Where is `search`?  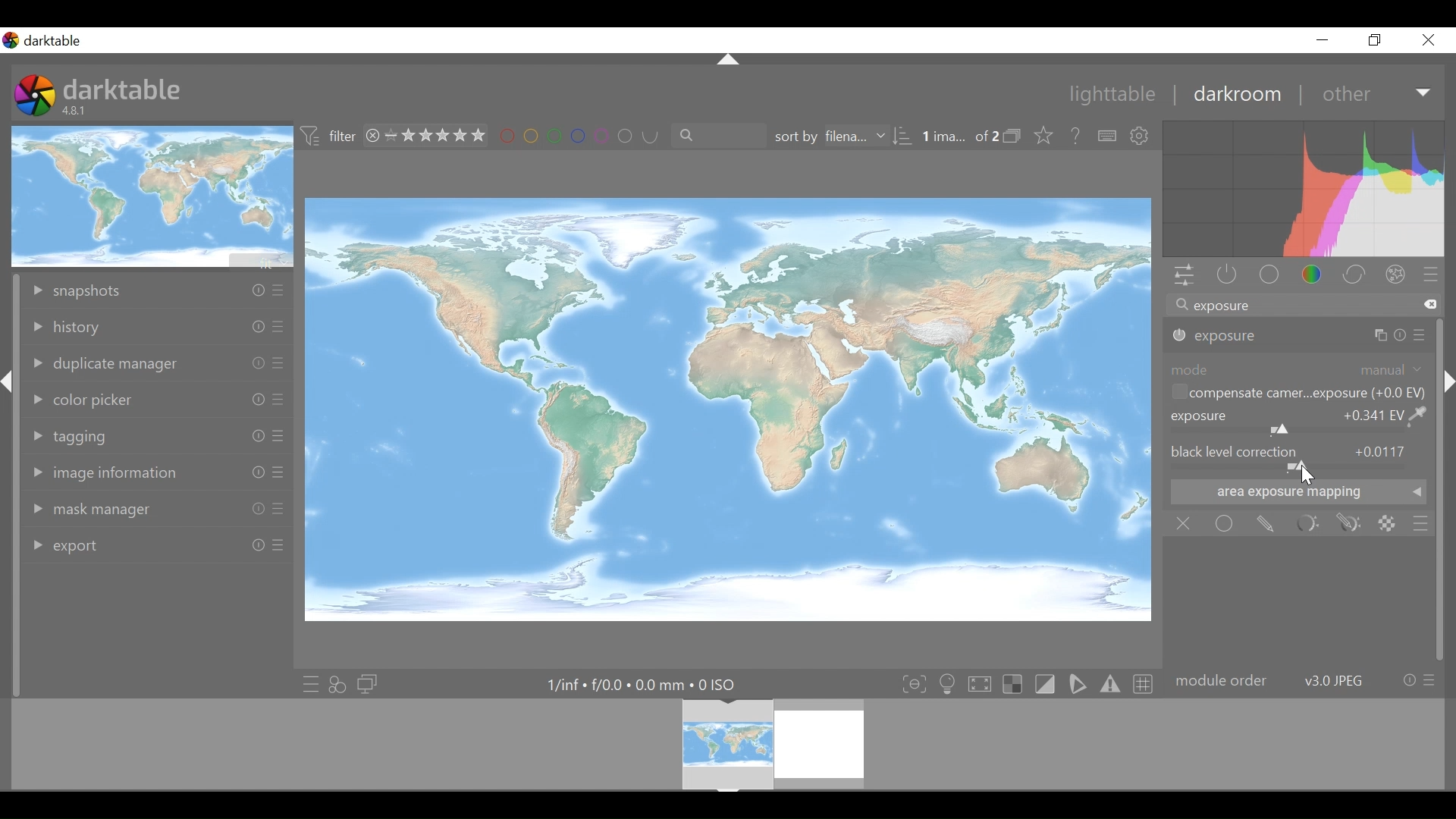 search is located at coordinates (713, 135).